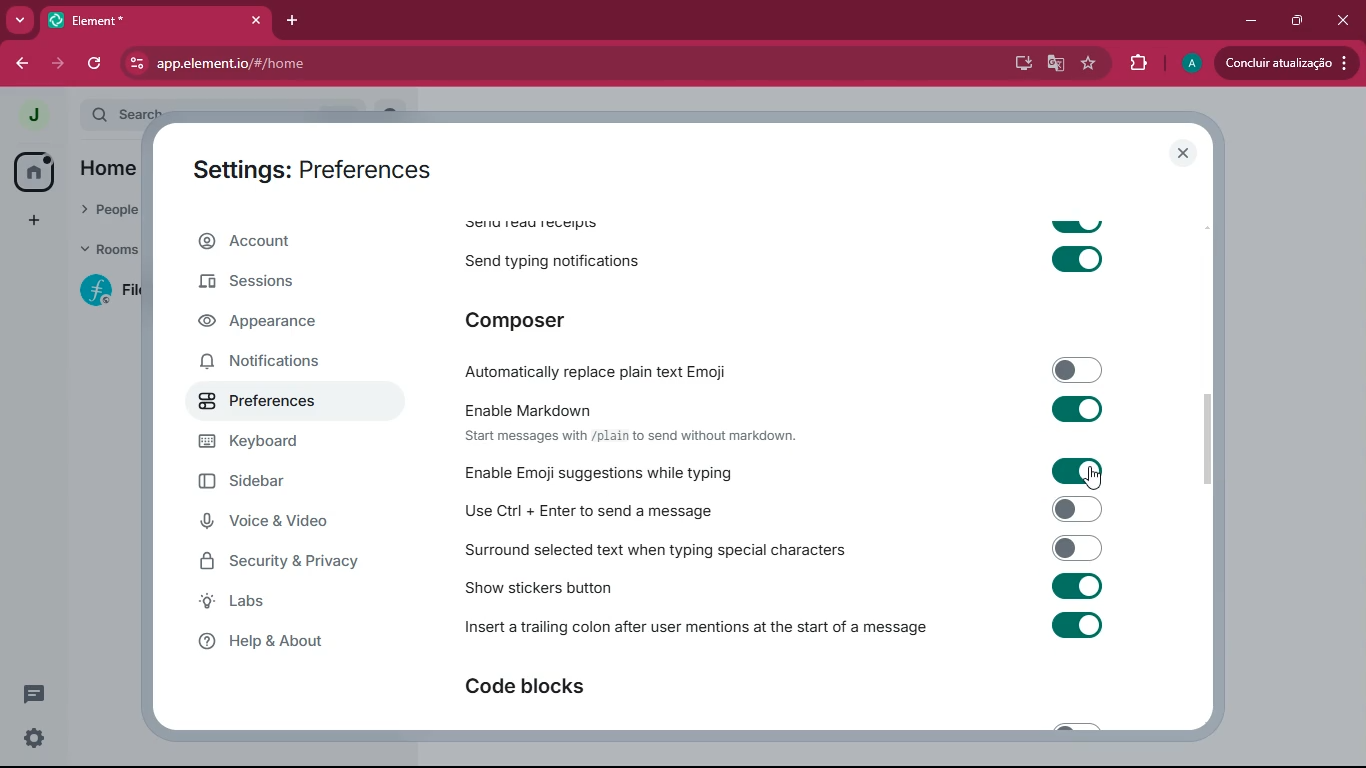 The image size is (1366, 768). I want to click on favourite, so click(1087, 63).